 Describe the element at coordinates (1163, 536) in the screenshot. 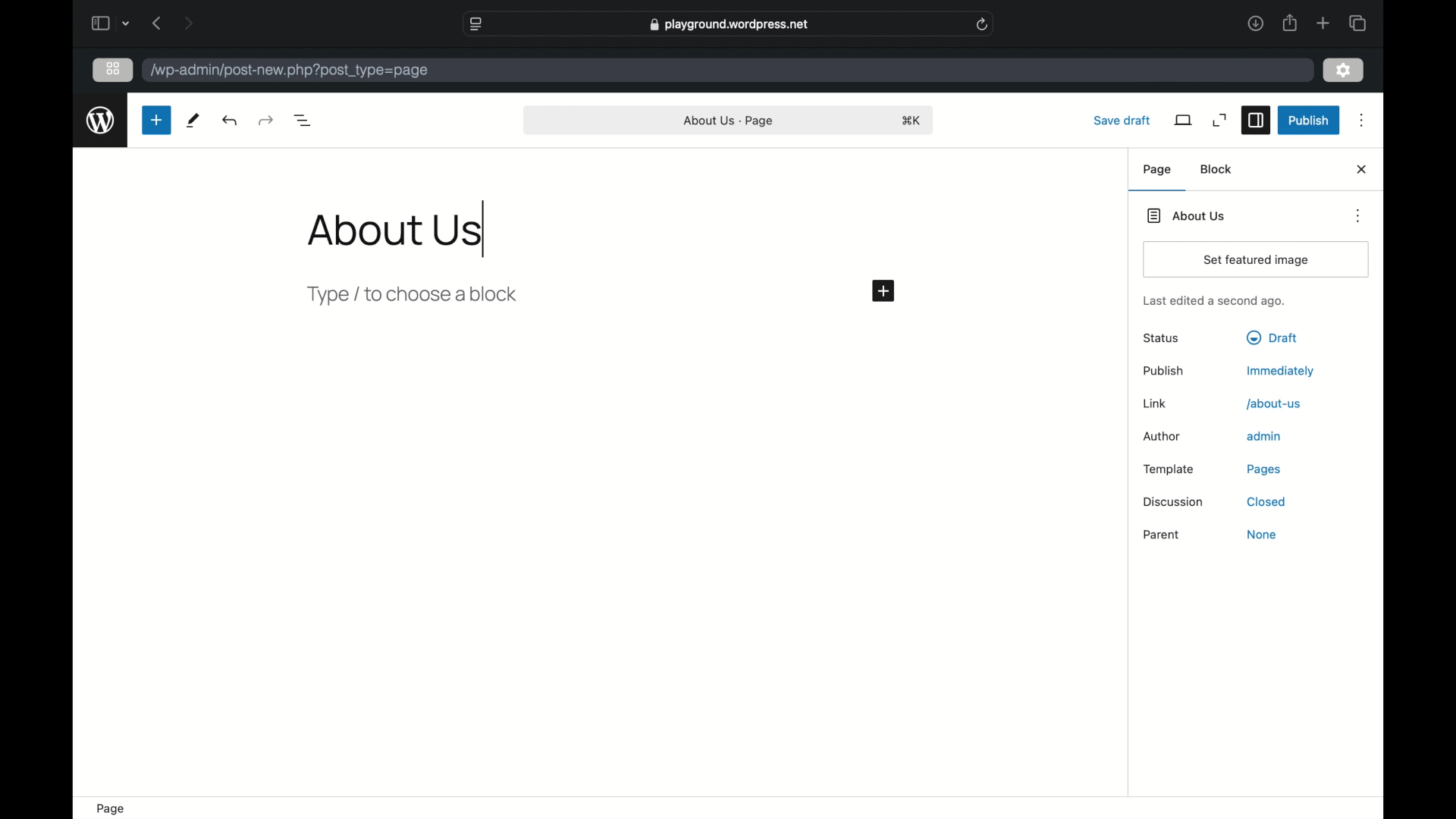

I see `parent` at that location.